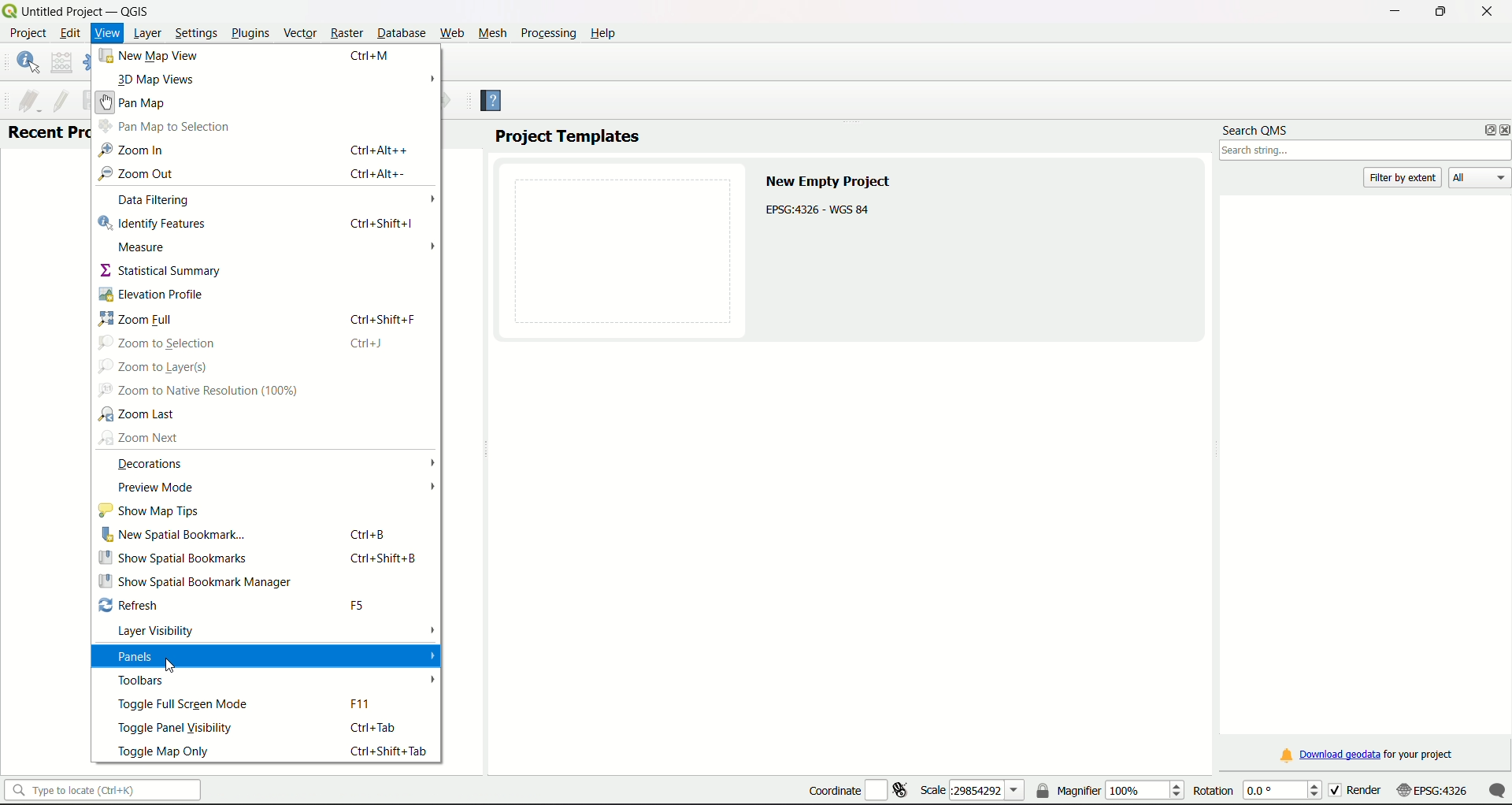 The image size is (1512, 805). I want to click on zoom full, so click(139, 319).